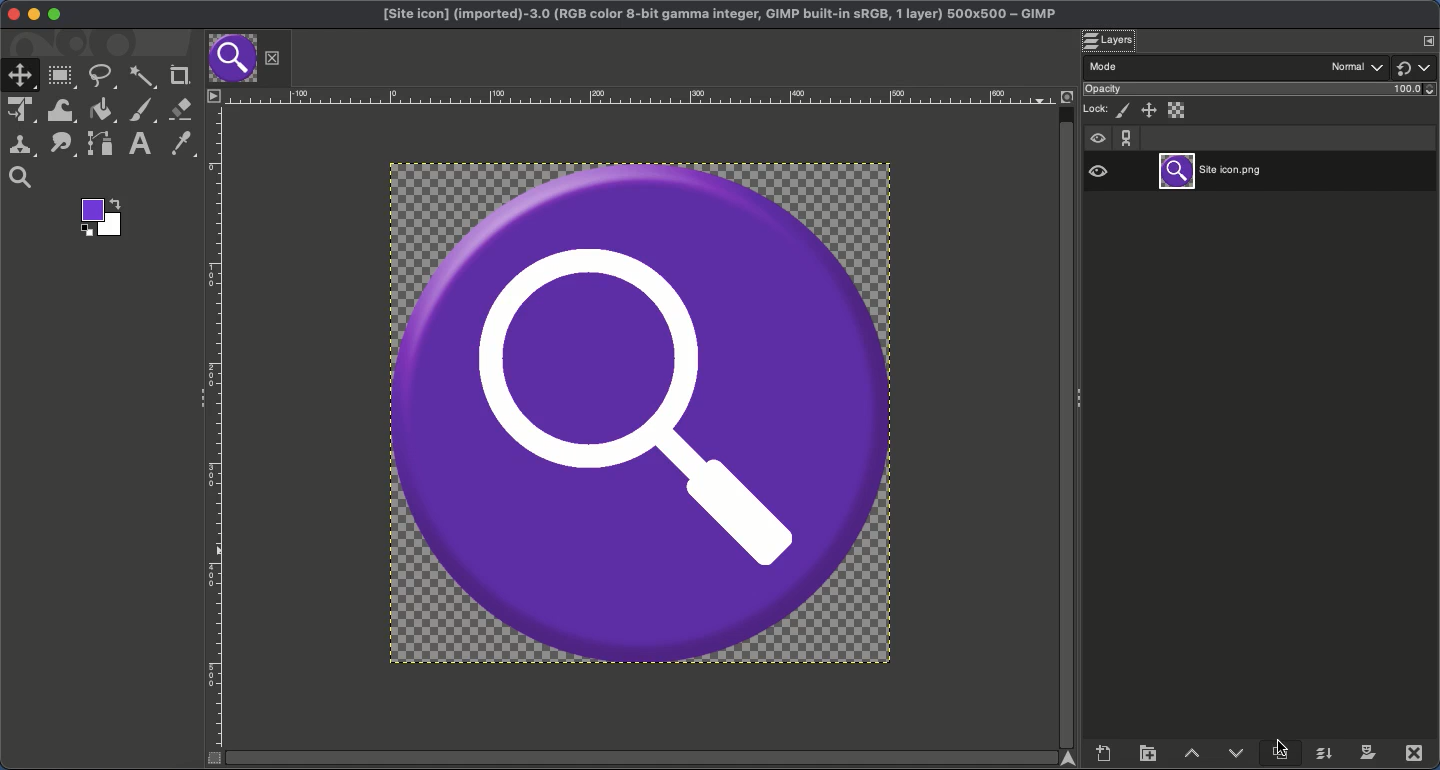 This screenshot has height=770, width=1440. What do you see at coordinates (23, 178) in the screenshot?
I see `Magnify` at bounding box center [23, 178].